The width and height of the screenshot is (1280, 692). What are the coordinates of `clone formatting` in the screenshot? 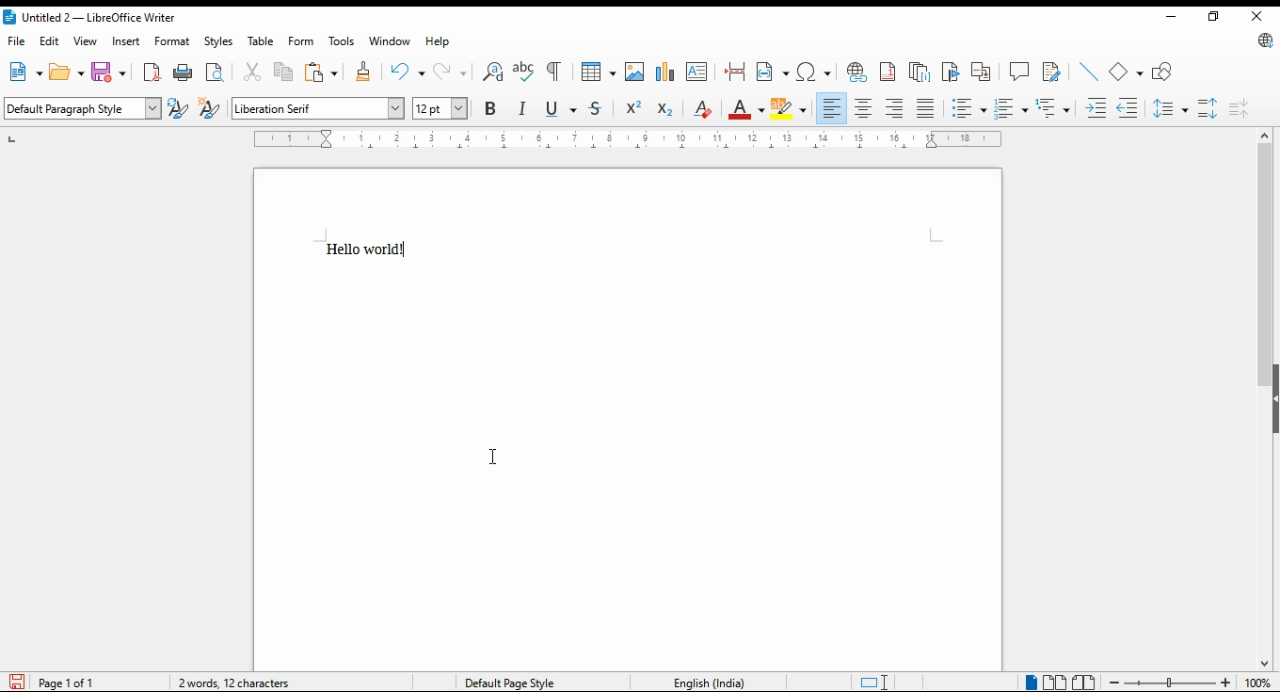 It's located at (361, 72).